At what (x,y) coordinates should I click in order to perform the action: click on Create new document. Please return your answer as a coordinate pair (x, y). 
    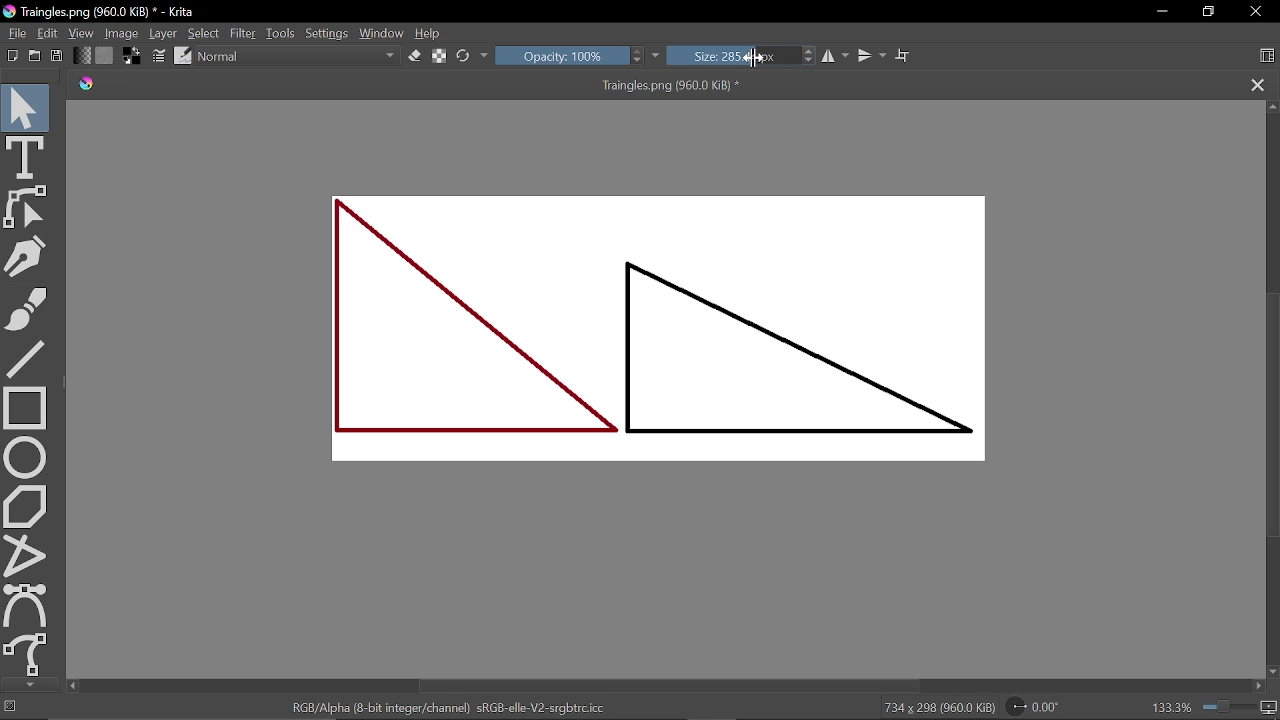
    Looking at the image, I should click on (13, 55).